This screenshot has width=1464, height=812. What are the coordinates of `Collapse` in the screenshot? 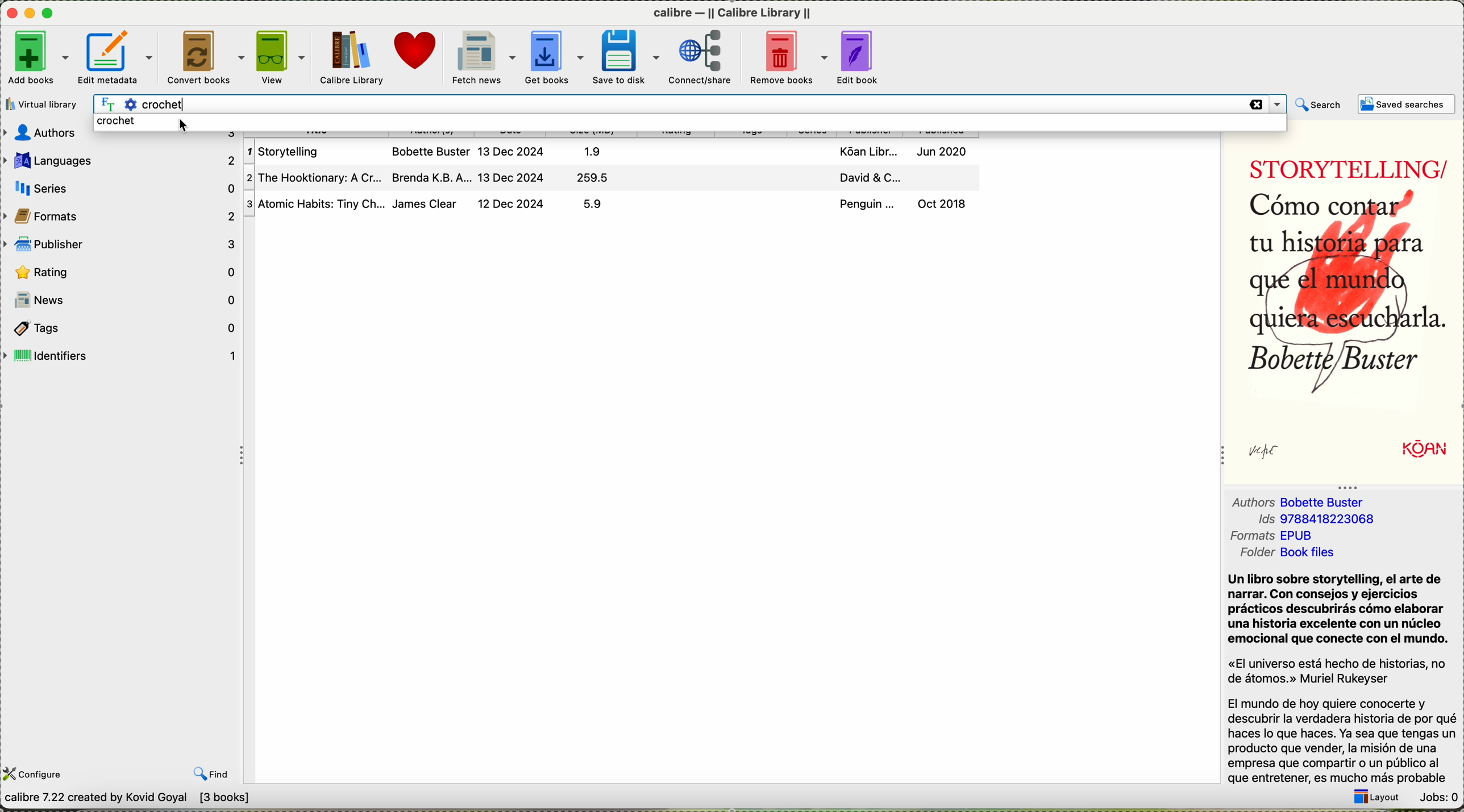 It's located at (1347, 486).